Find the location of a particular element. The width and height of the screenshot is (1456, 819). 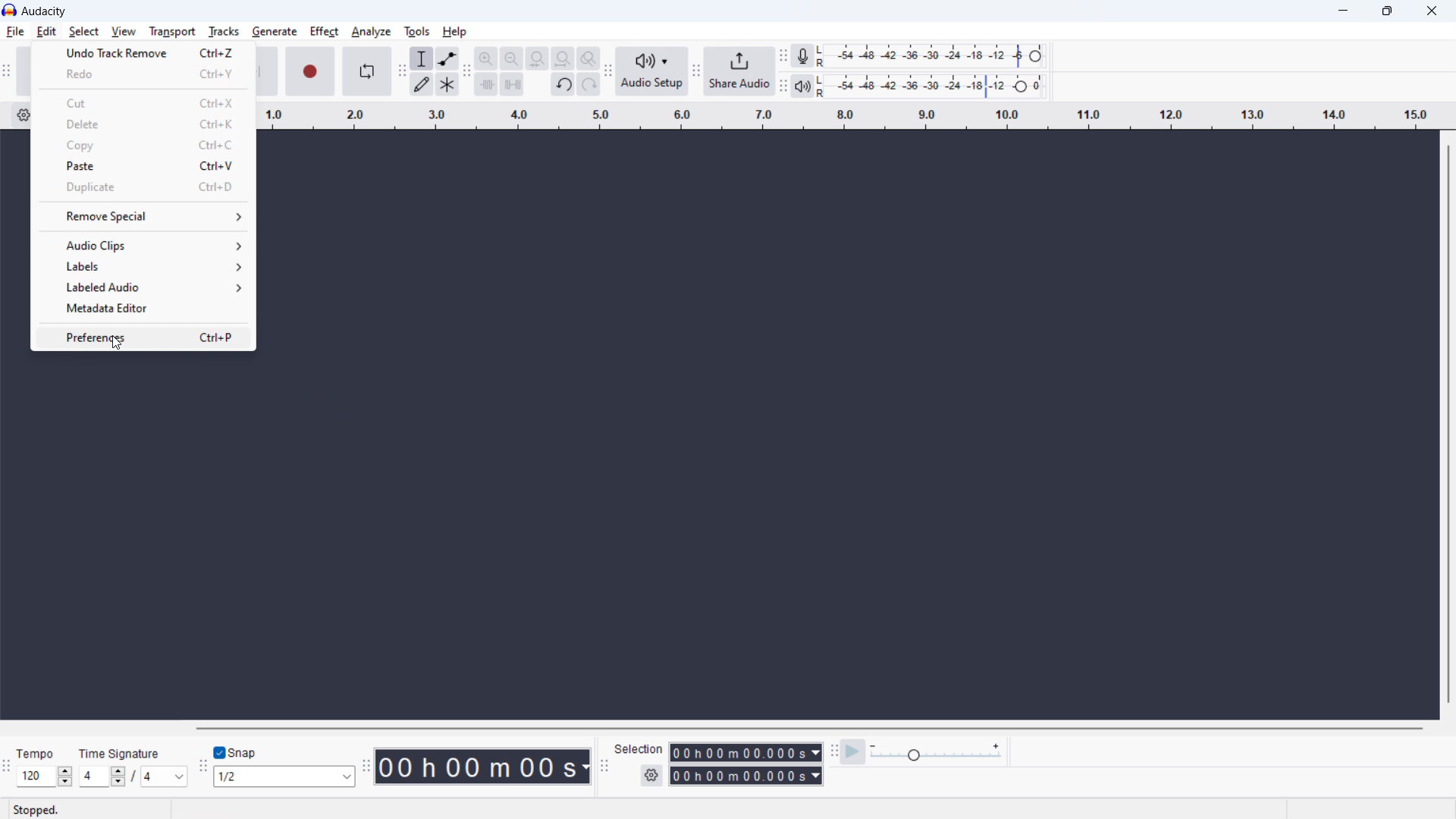

remove special is located at coordinates (147, 218).